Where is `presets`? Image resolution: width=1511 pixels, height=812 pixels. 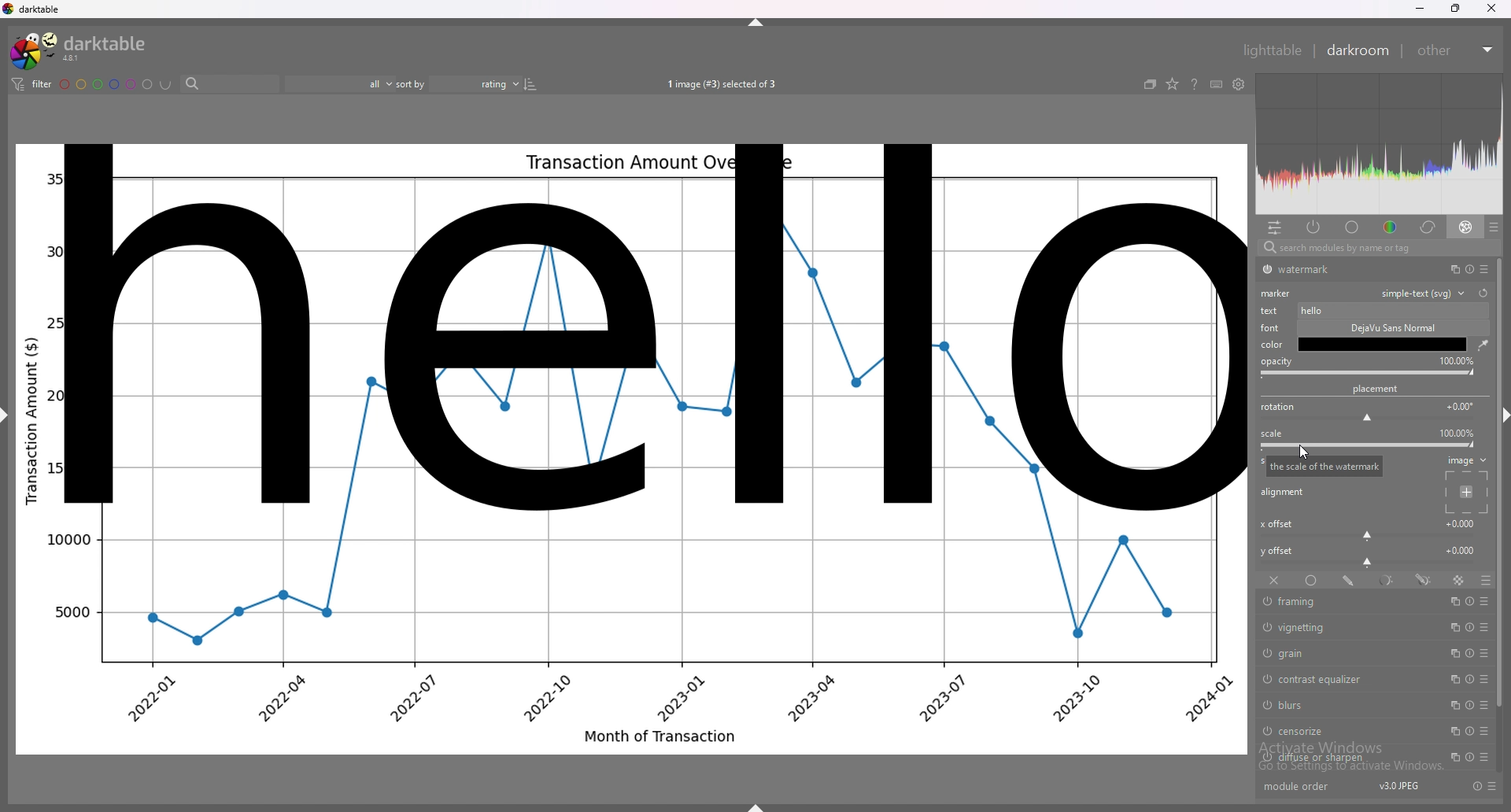
presets is located at coordinates (1482, 757).